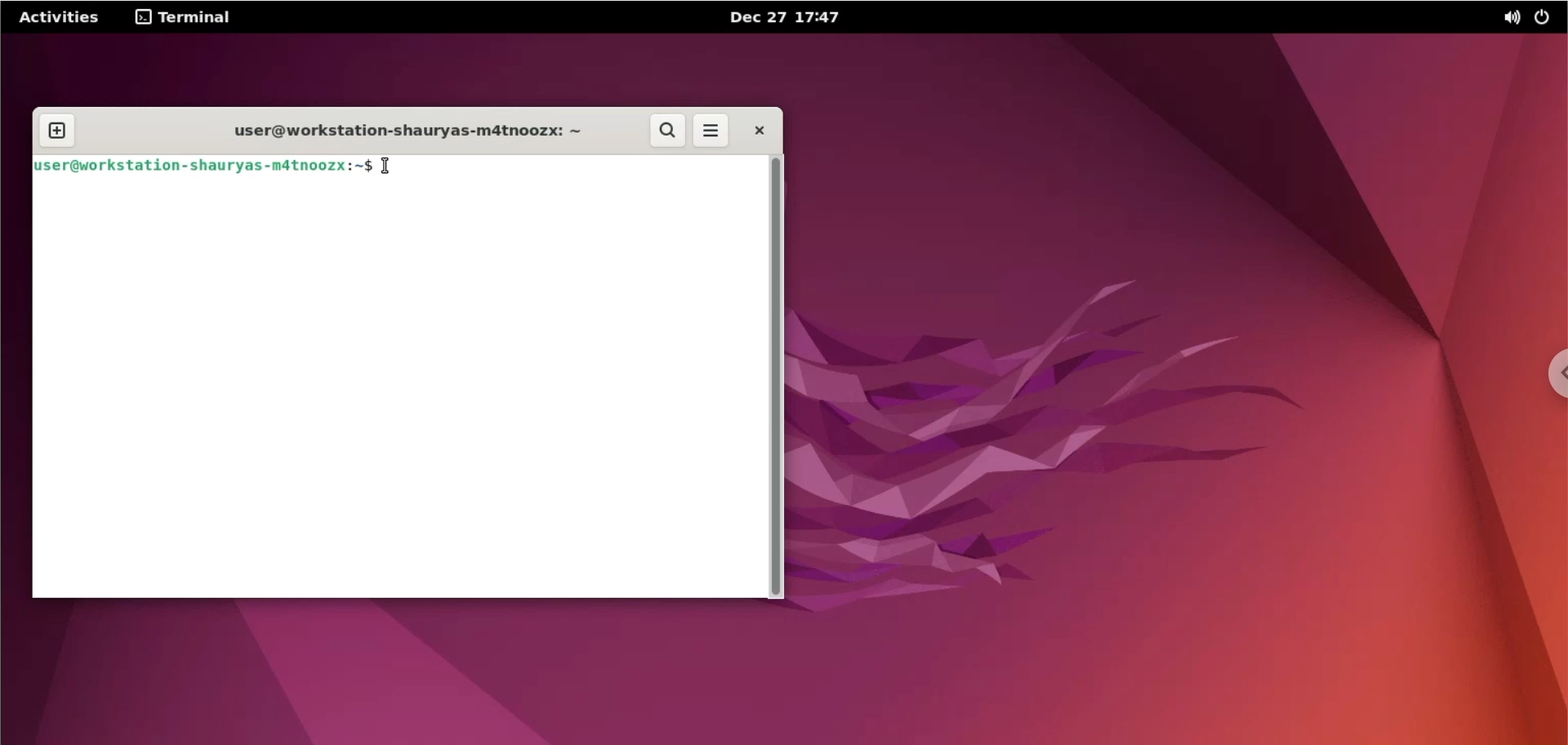 Image resolution: width=1568 pixels, height=745 pixels. Describe the element at coordinates (800, 16) in the screenshot. I see `Dec 27 17:47` at that location.